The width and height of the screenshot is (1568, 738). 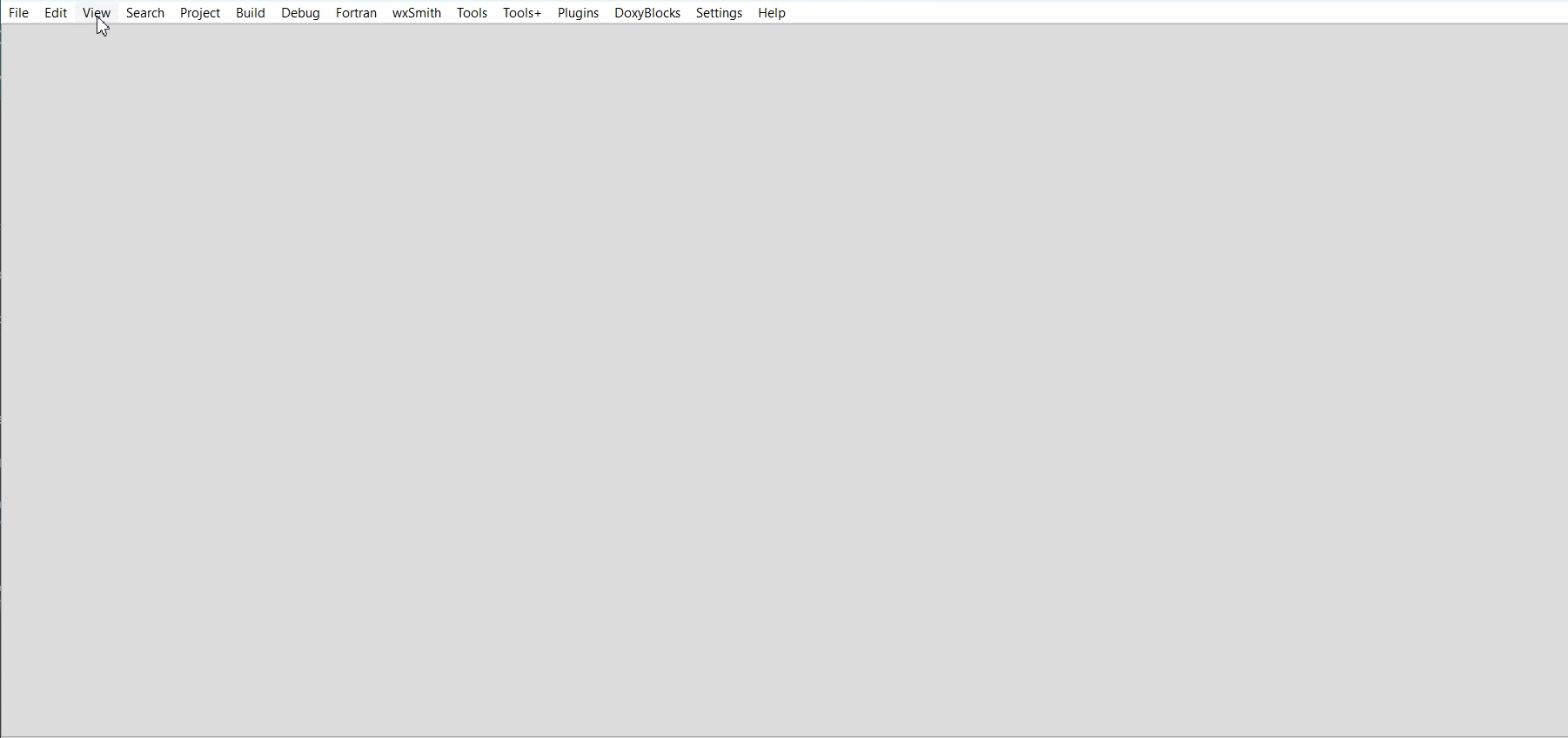 I want to click on Cursor, so click(x=104, y=26).